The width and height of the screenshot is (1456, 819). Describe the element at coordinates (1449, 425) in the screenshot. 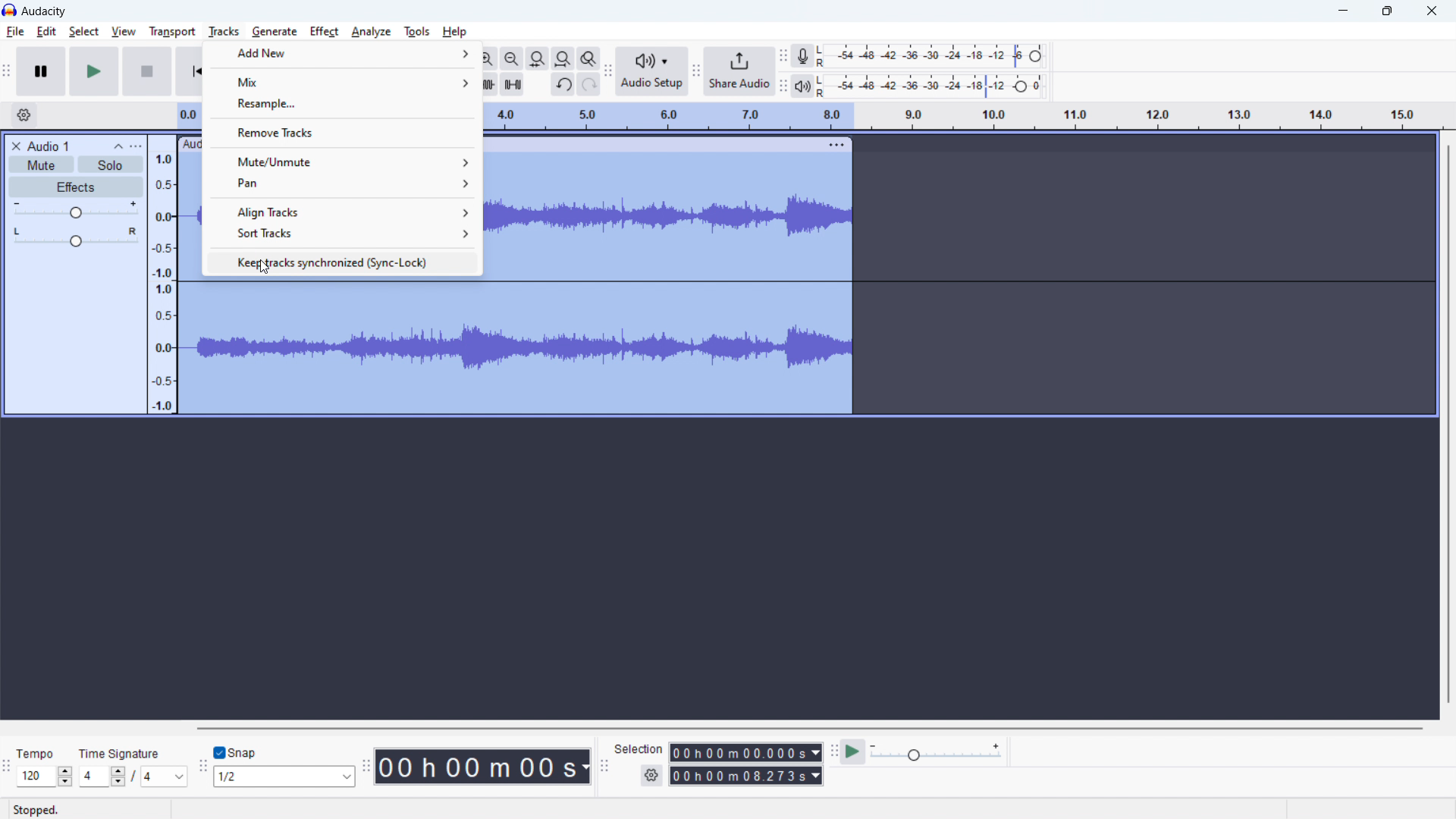

I see `vertical scrollbar` at that location.